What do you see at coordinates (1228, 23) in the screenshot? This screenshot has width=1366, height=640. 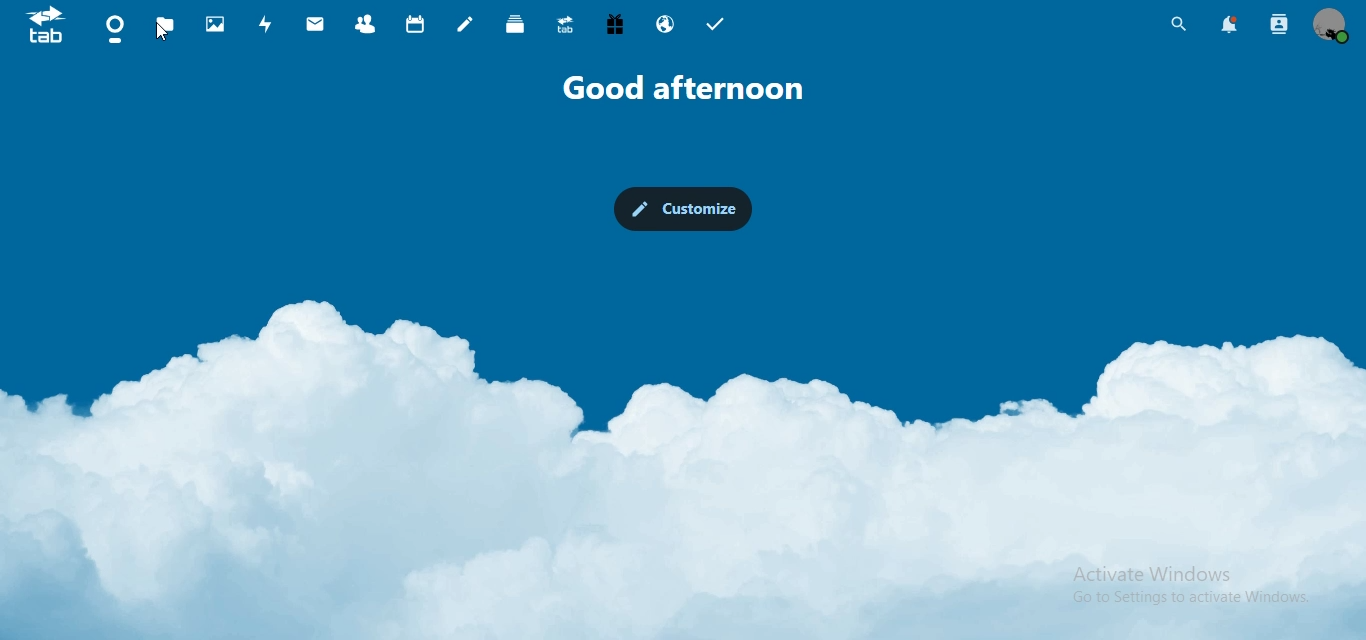 I see `notifications` at bounding box center [1228, 23].